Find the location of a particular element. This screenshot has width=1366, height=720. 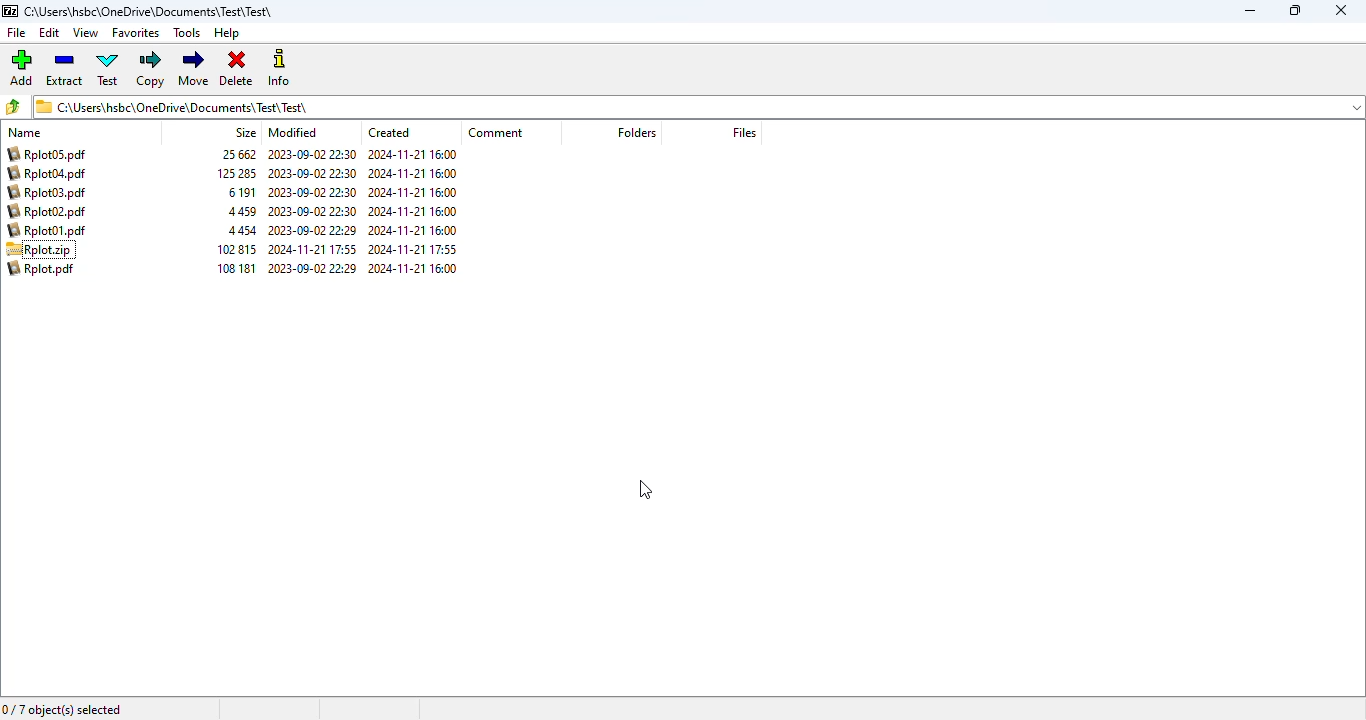

extract is located at coordinates (66, 68).